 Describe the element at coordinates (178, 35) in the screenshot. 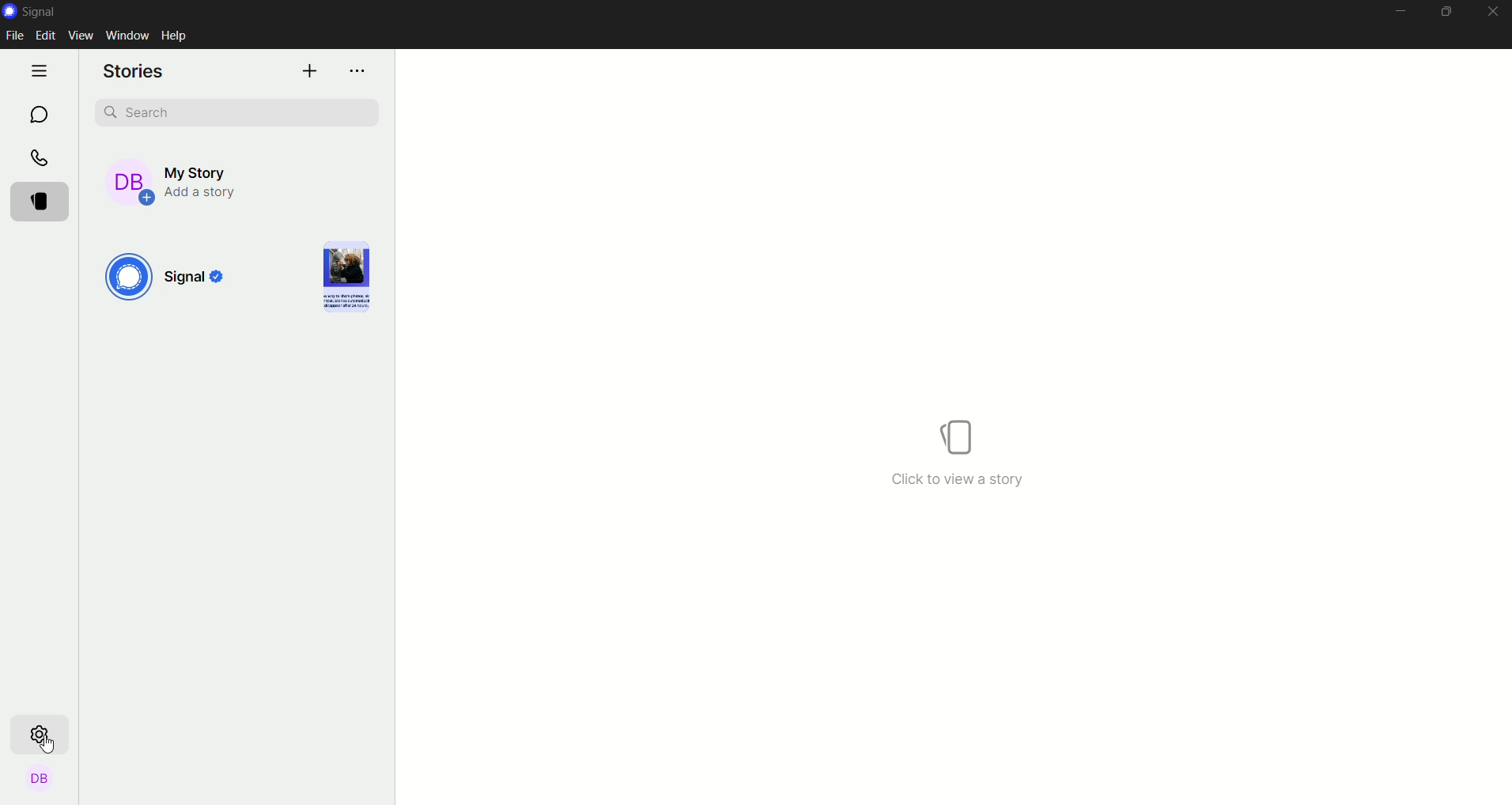

I see `help` at that location.